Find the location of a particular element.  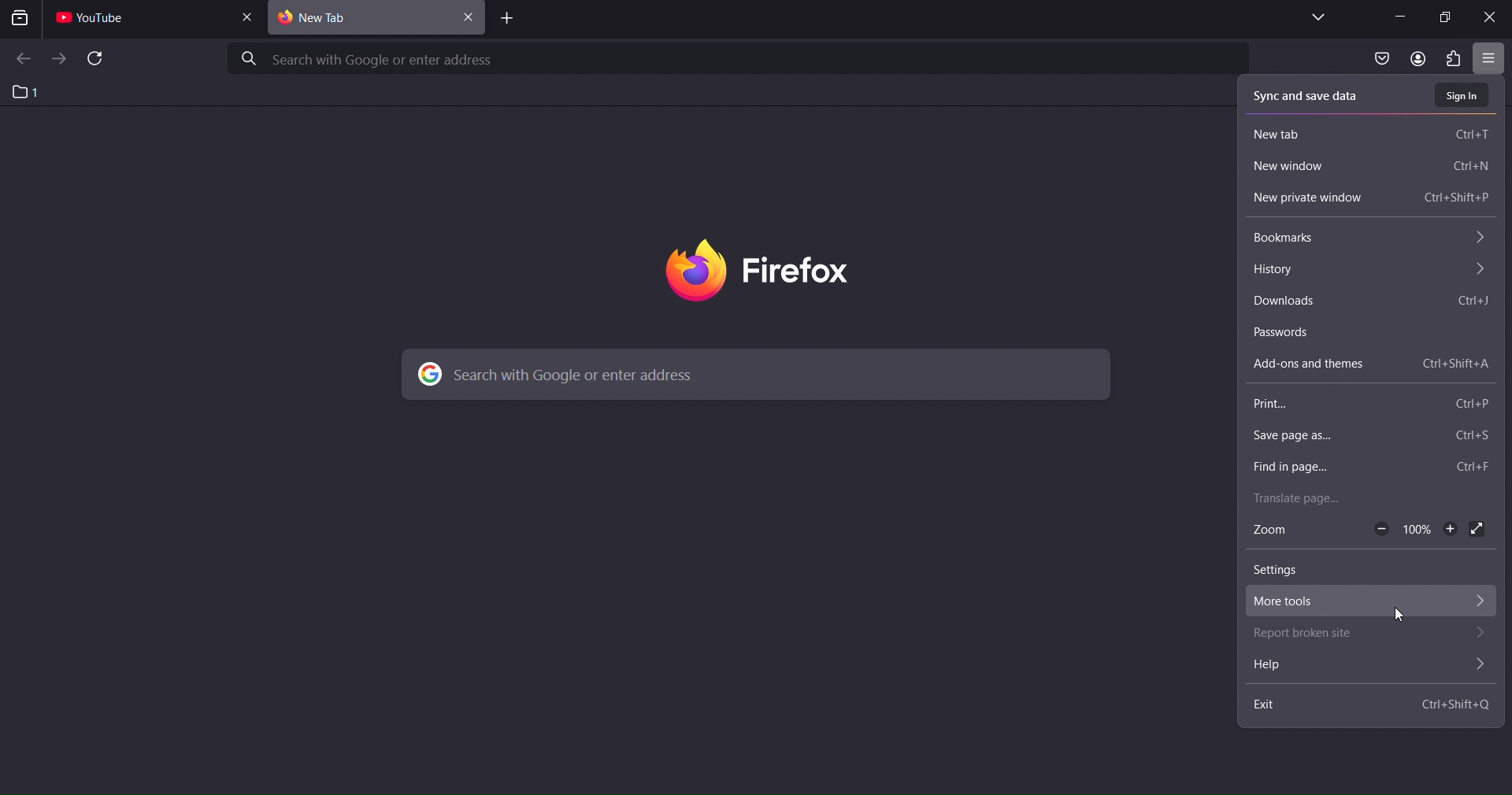

cursor is located at coordinates (1399, 616).